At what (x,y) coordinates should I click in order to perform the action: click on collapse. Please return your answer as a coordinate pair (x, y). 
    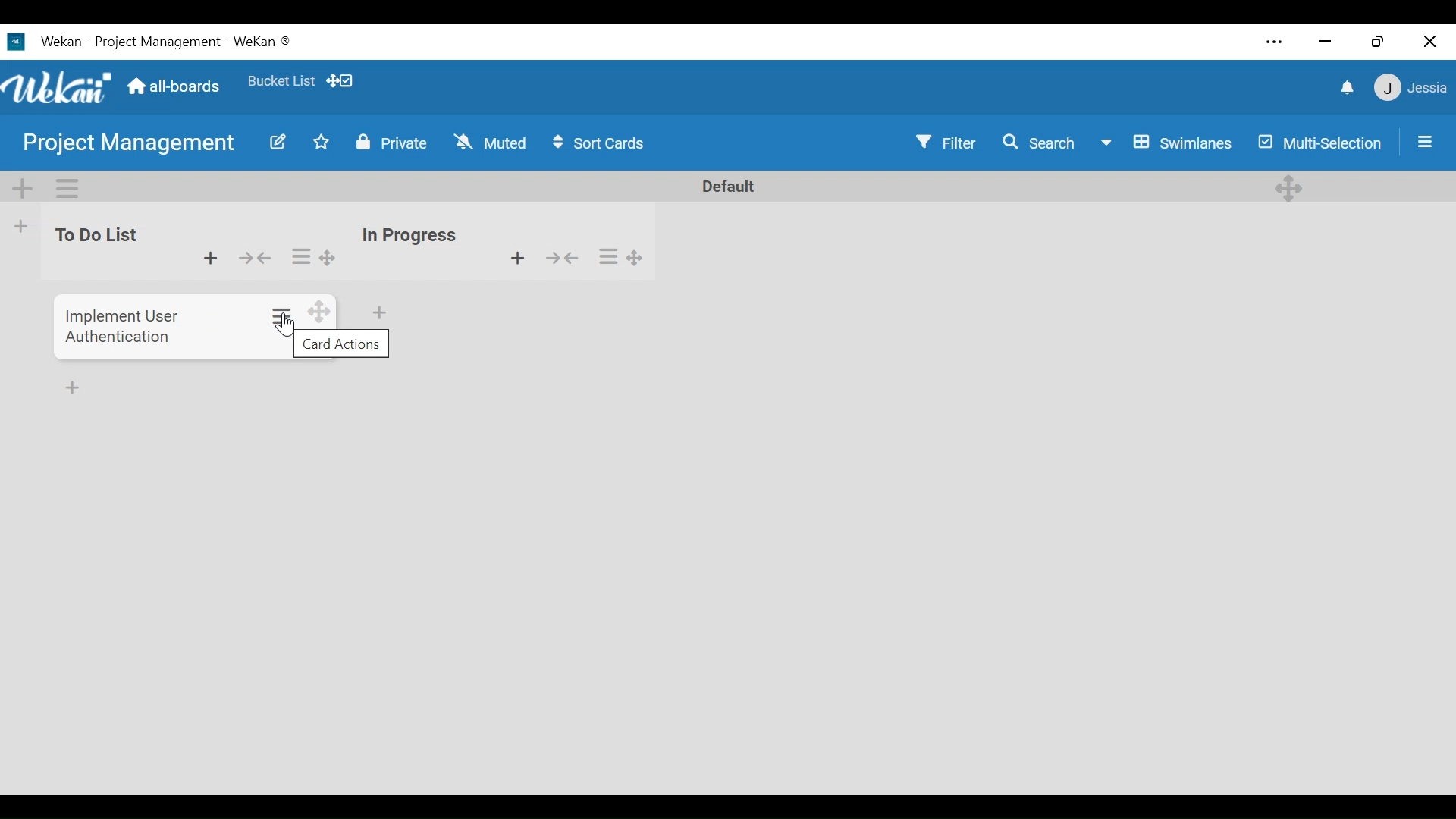
    Looking at the image, I should click on (256, 258).